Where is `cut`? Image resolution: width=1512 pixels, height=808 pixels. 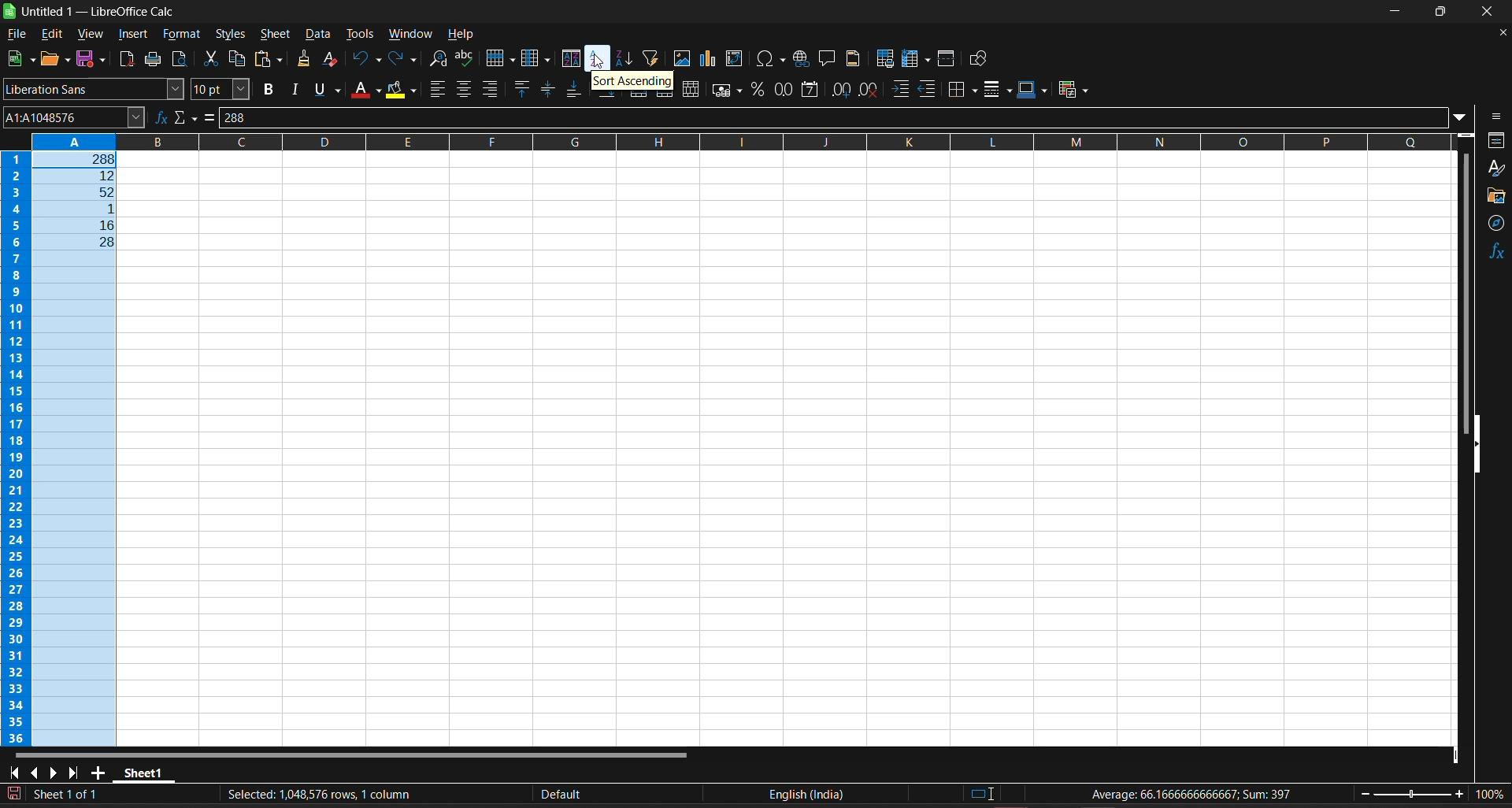 cut is located at coordinates (209, 59).